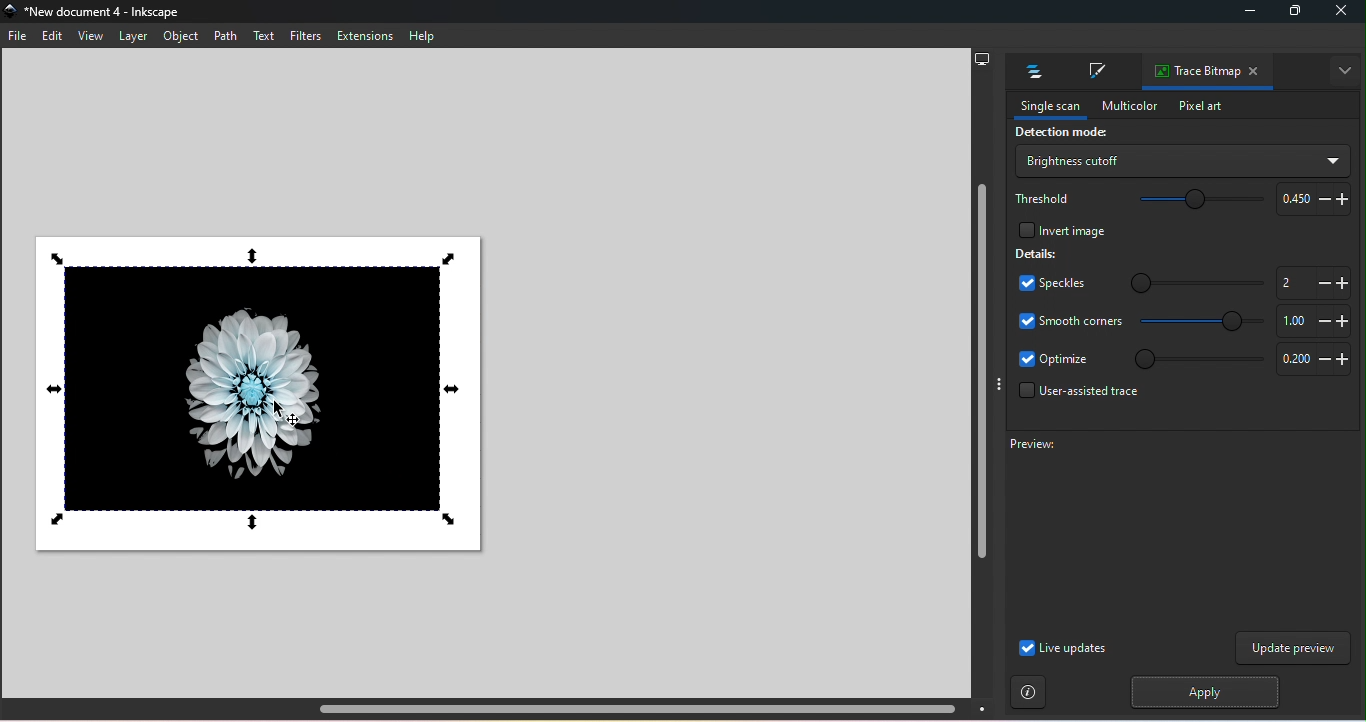  Describe the element at coordinates (998, 384) in the screenshot. I see `Toggle display options` at that location.